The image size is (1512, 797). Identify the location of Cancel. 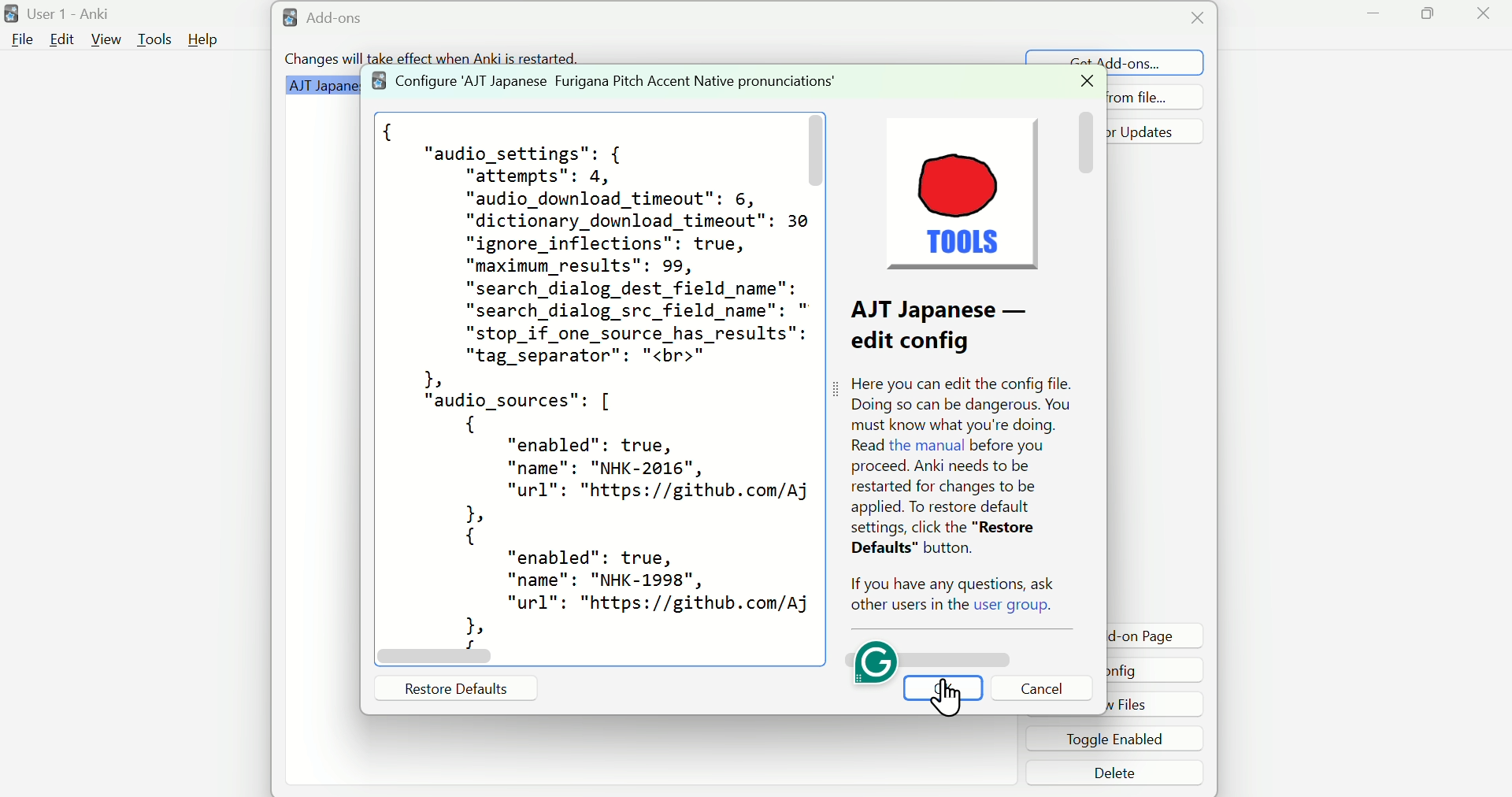
(1042, 691).